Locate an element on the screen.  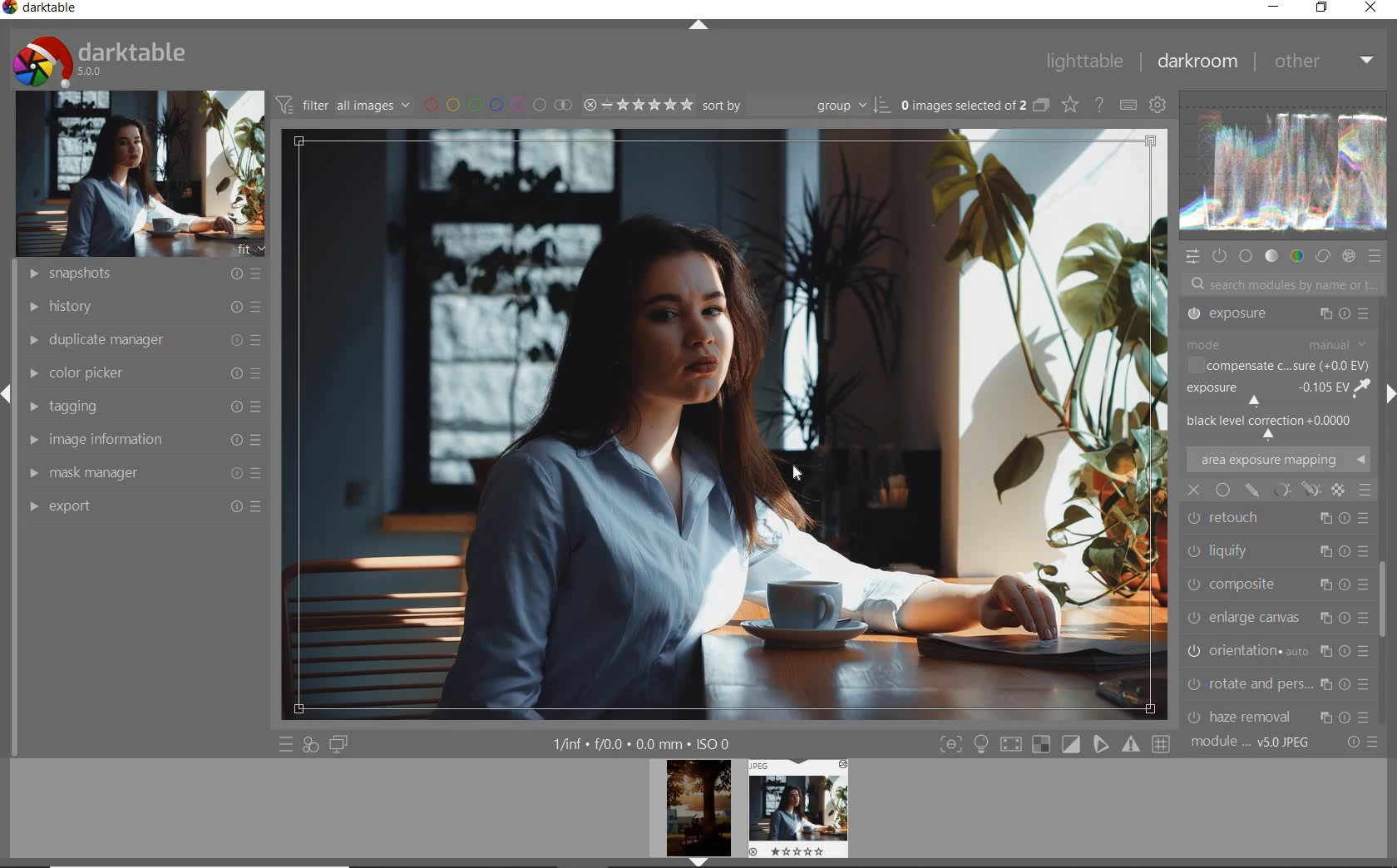
TOGGLE MODE is located at coordinates (1054, 744).